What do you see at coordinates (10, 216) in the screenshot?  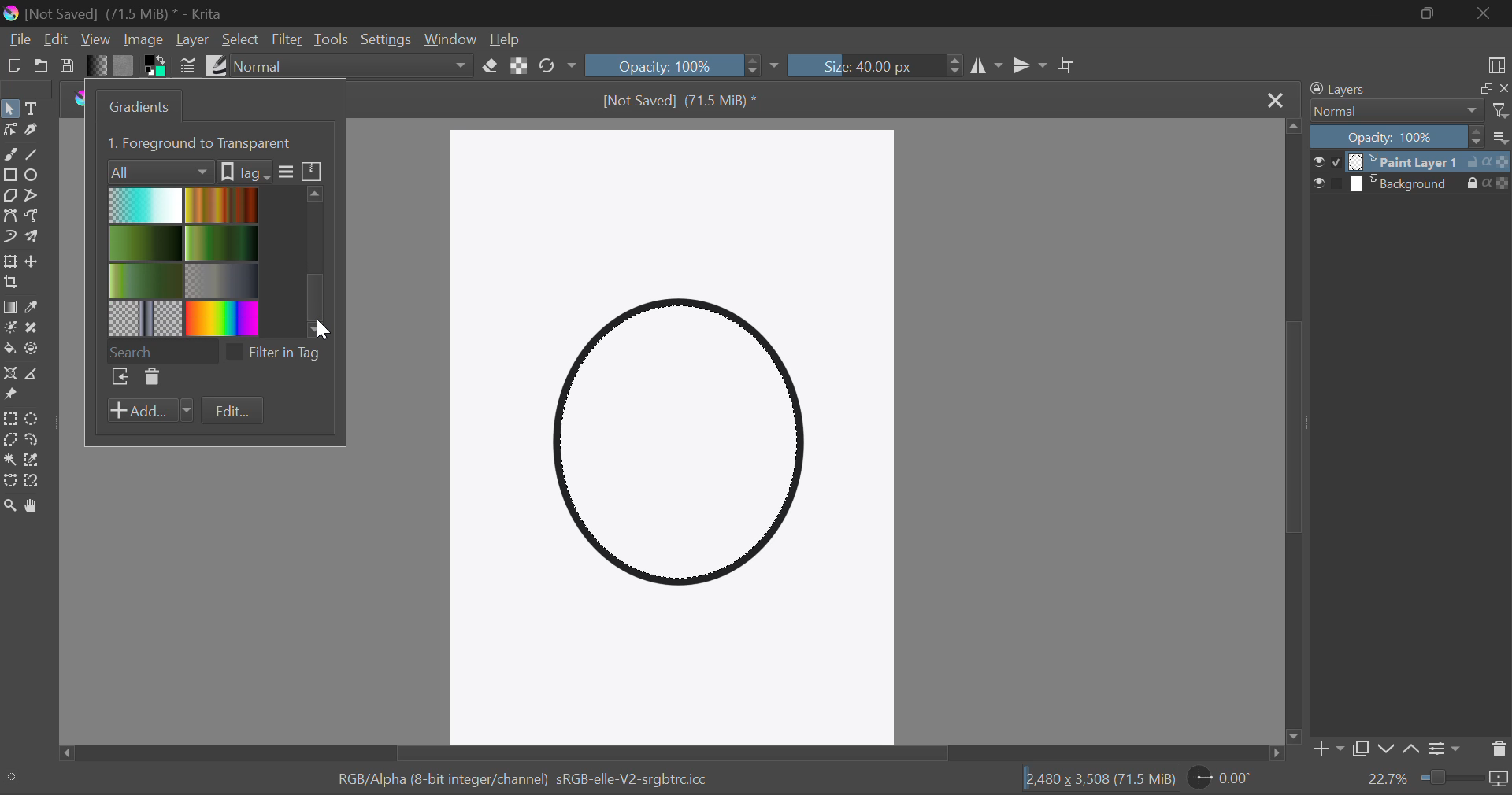 I see `Bezier Curve` at bounding box center [10, 216].